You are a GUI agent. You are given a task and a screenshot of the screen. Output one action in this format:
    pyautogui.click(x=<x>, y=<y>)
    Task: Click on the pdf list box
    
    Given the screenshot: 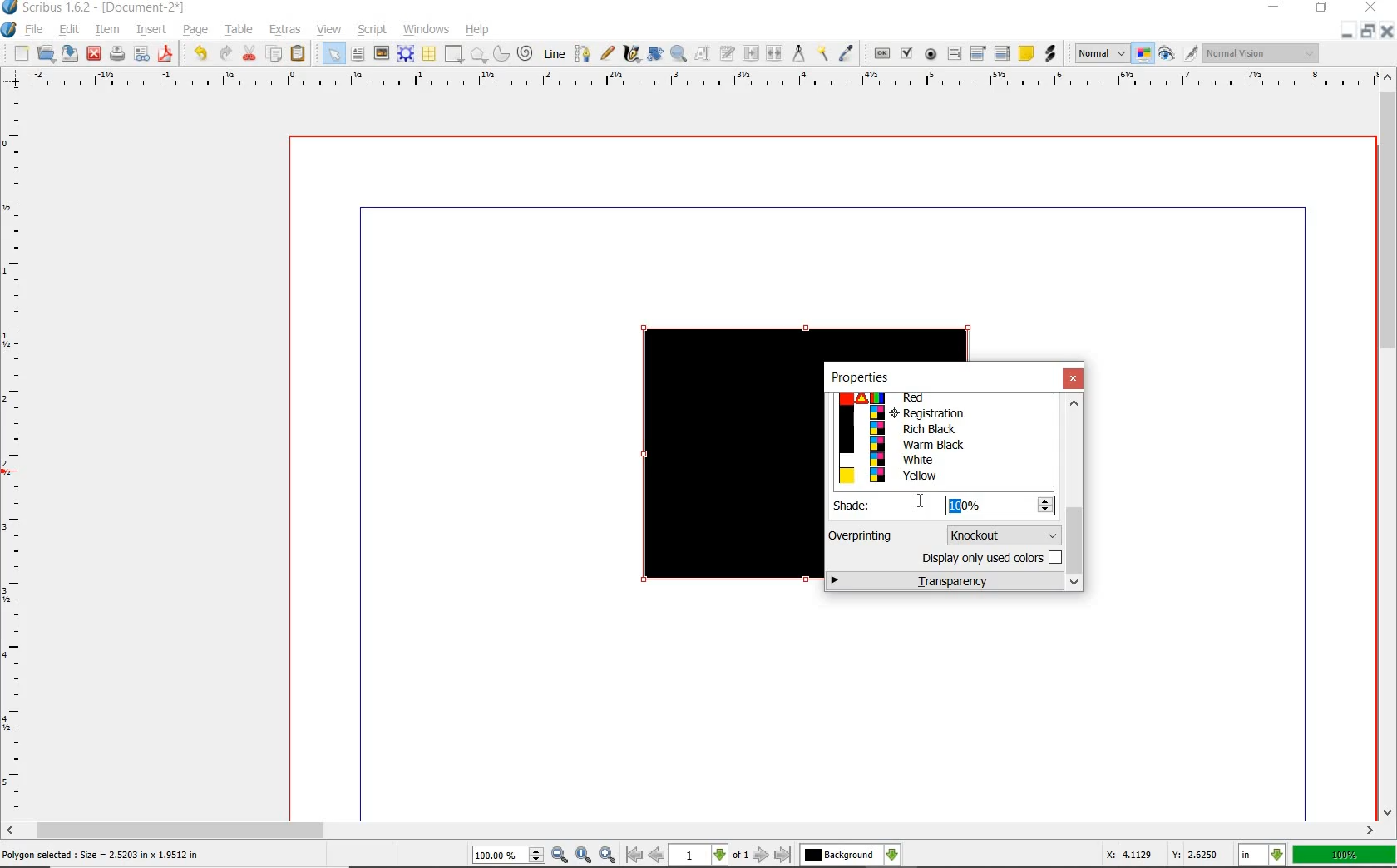 What is the action you would take?
    pyautogui.click(x=1003, y=52)
    